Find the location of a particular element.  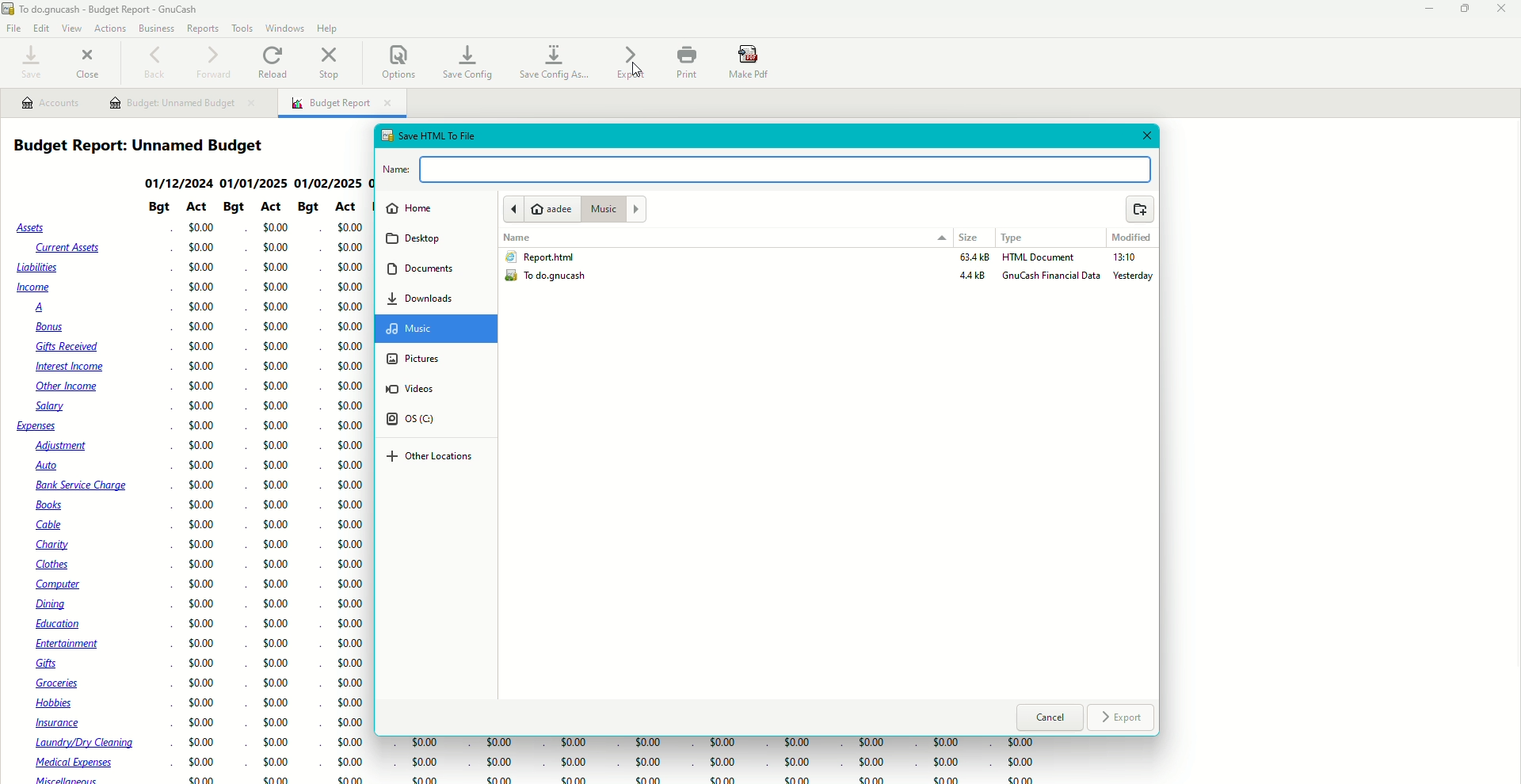

File Sizes is located at coordinates (970, 270).